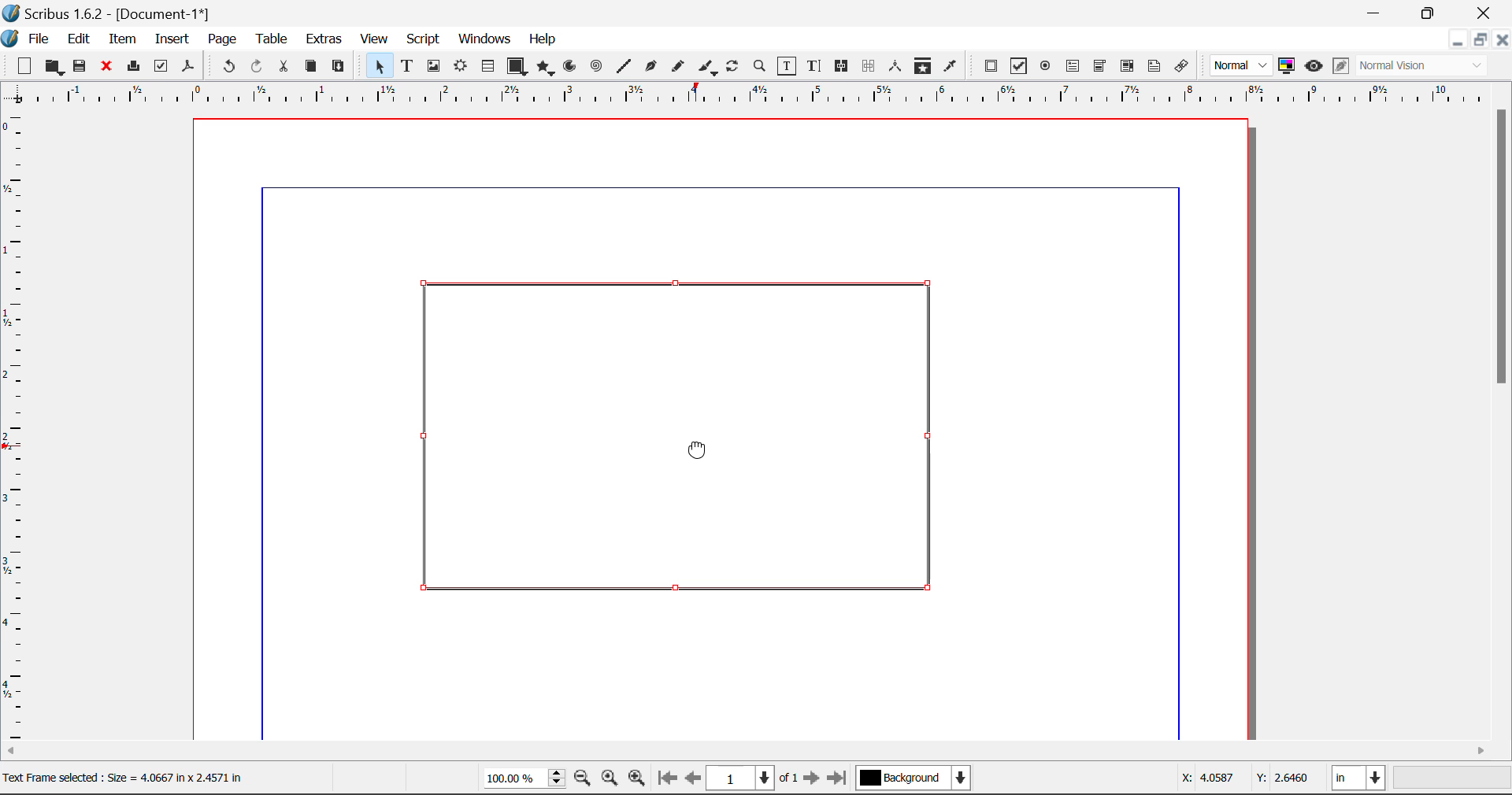 The image size is (1512, 795). I want to click on Text Frame selected: Size= 4.0667 in x 2.4571 in, so click(123, 776).